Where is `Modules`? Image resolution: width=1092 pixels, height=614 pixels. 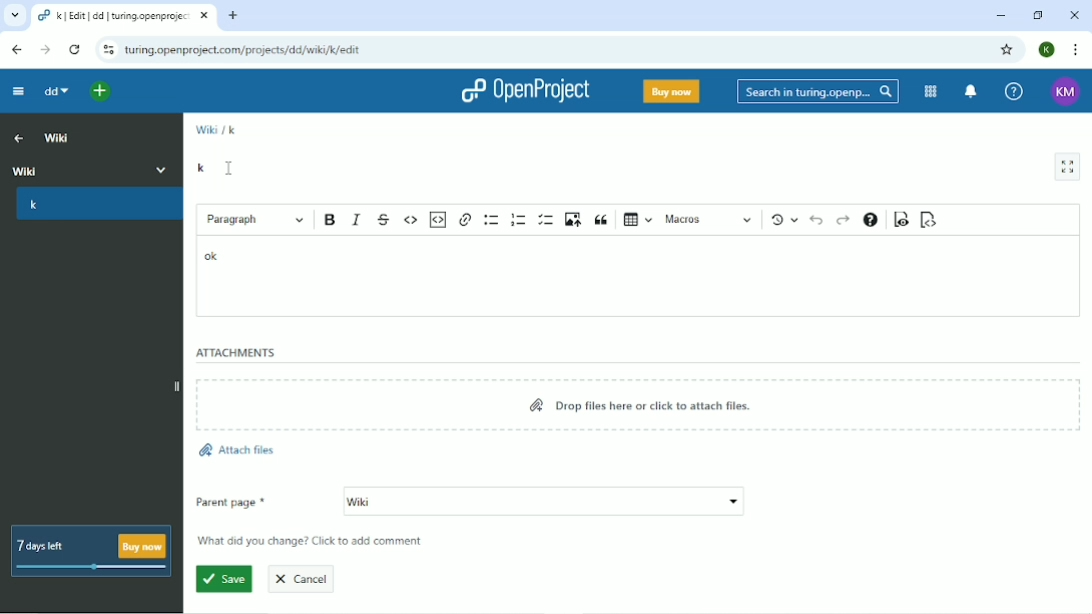
Modules is located at coordinates (929, 91).